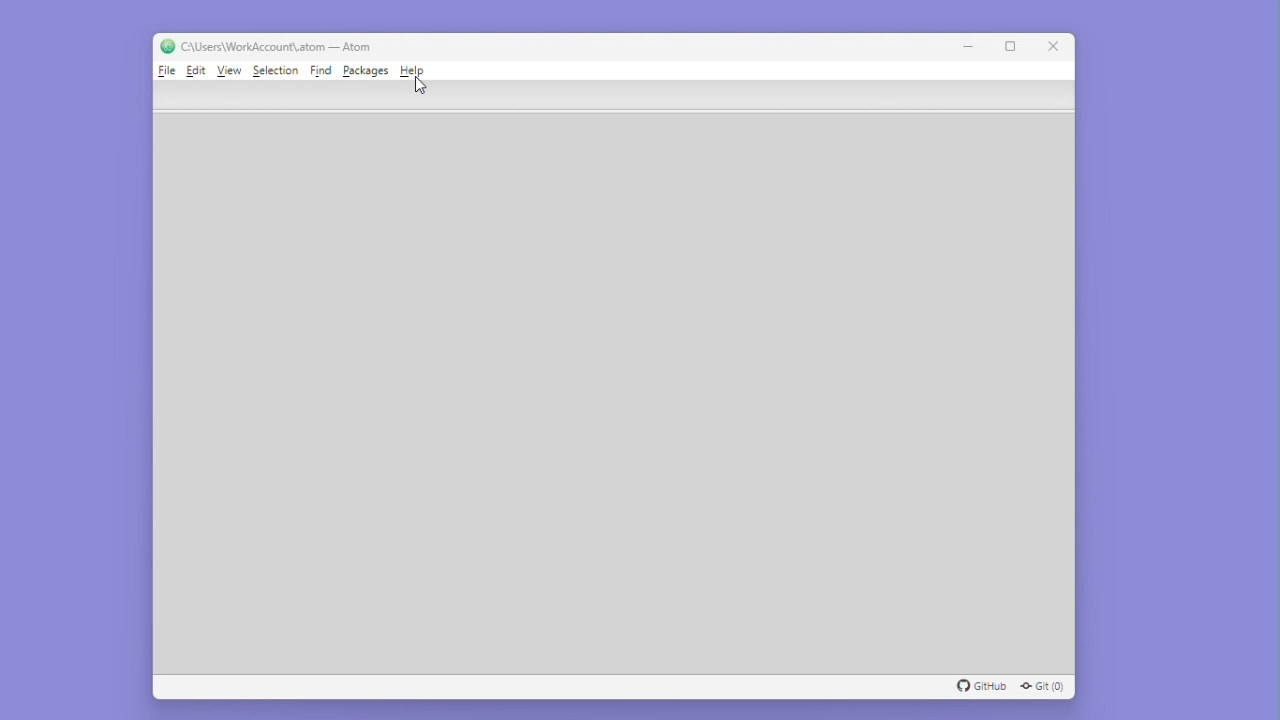 Image resolution: width=1280 pixels, height=720 pixels. I want to click on File, so click(168, 73).